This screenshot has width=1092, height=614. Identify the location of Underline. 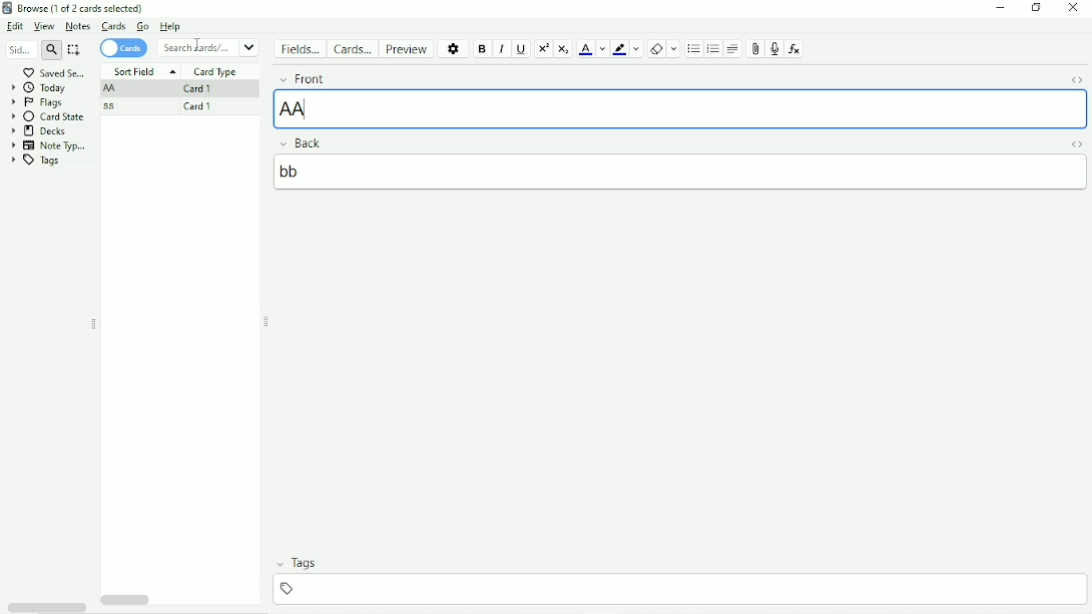
(522, 49).